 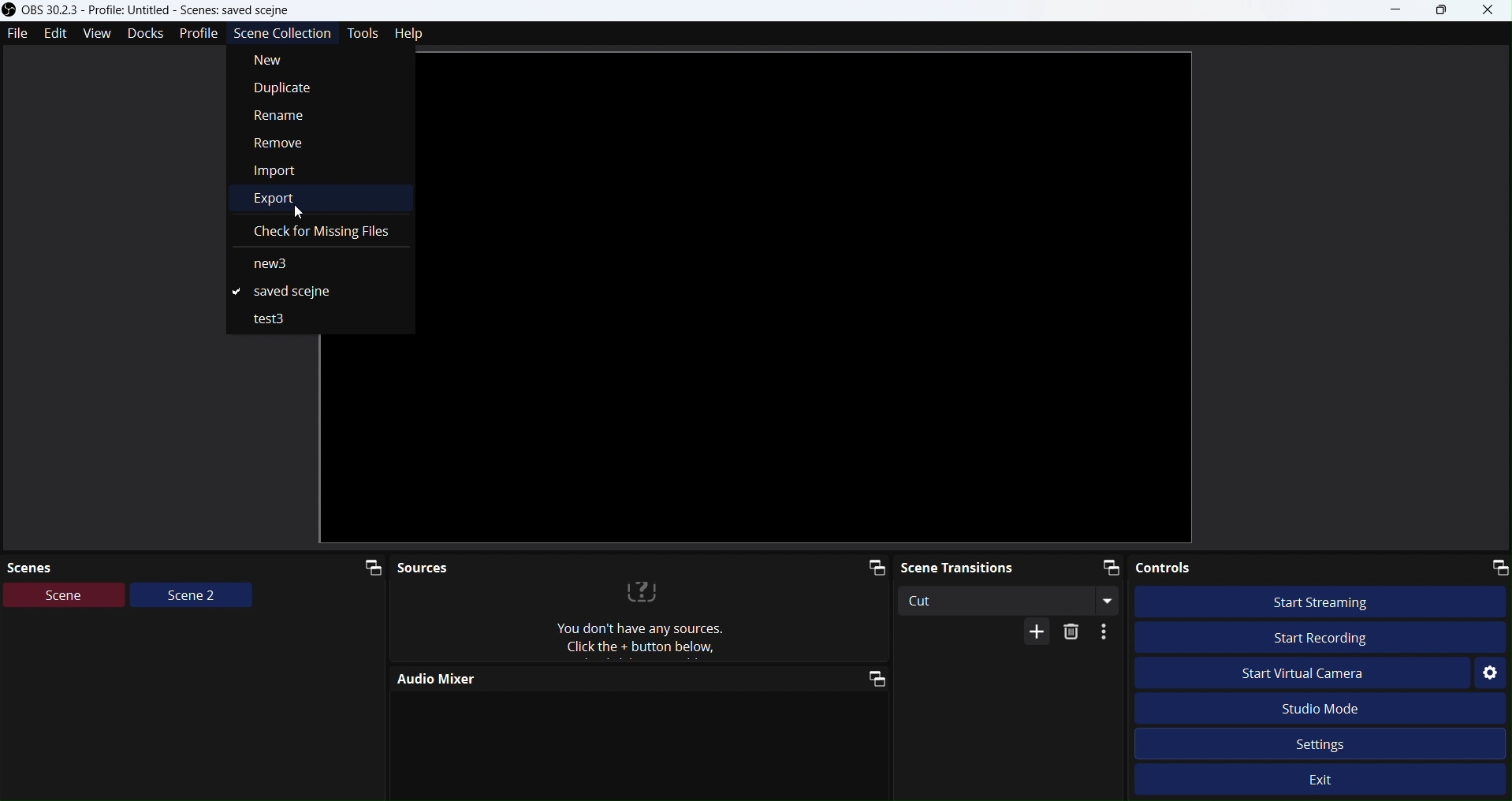 I want to click on Check for missing files, so click(x=321, y=230).